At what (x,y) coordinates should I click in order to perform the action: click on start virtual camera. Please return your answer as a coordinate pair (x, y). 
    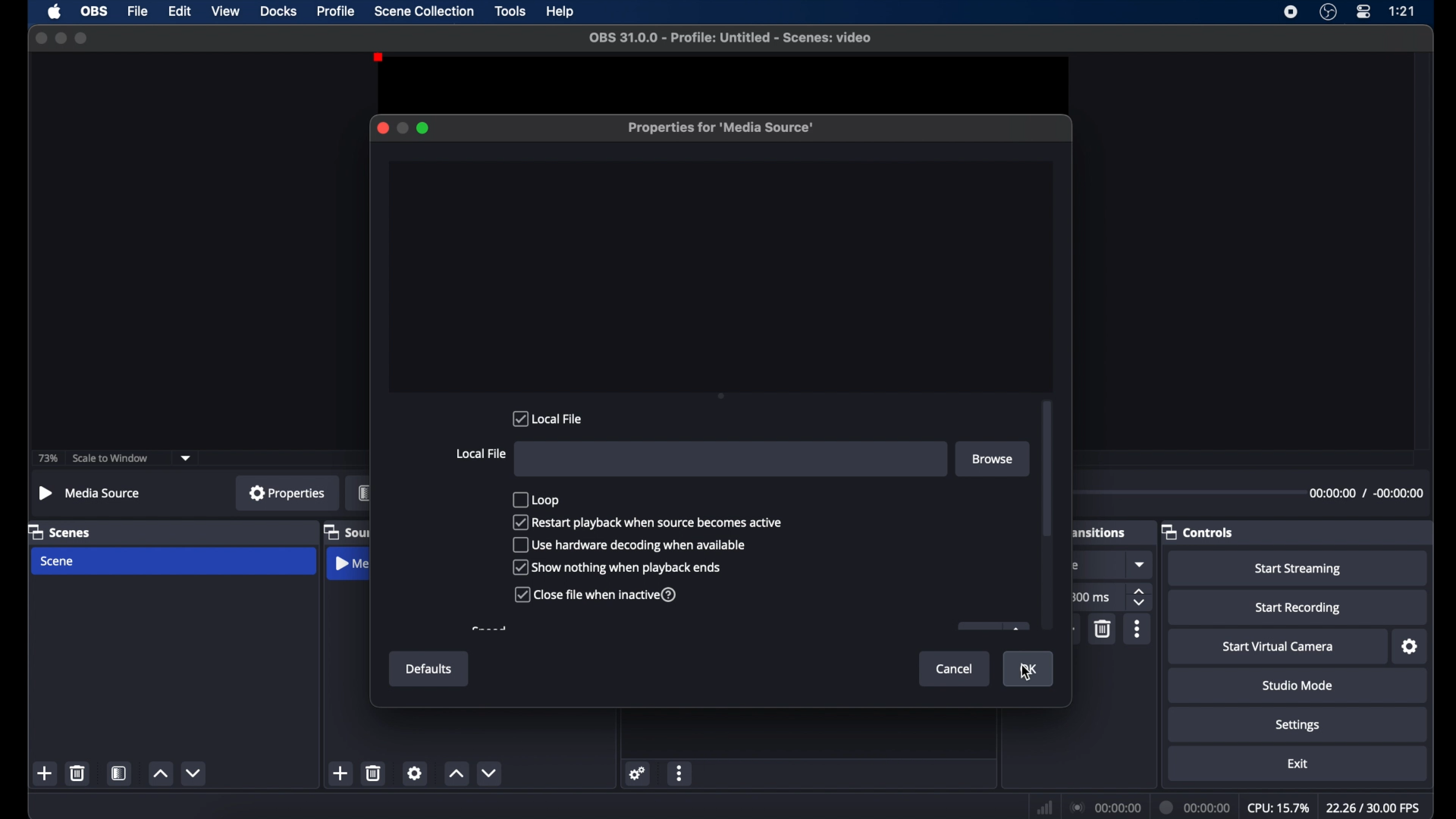
    Looking at the image, I should click on (1275, 645).